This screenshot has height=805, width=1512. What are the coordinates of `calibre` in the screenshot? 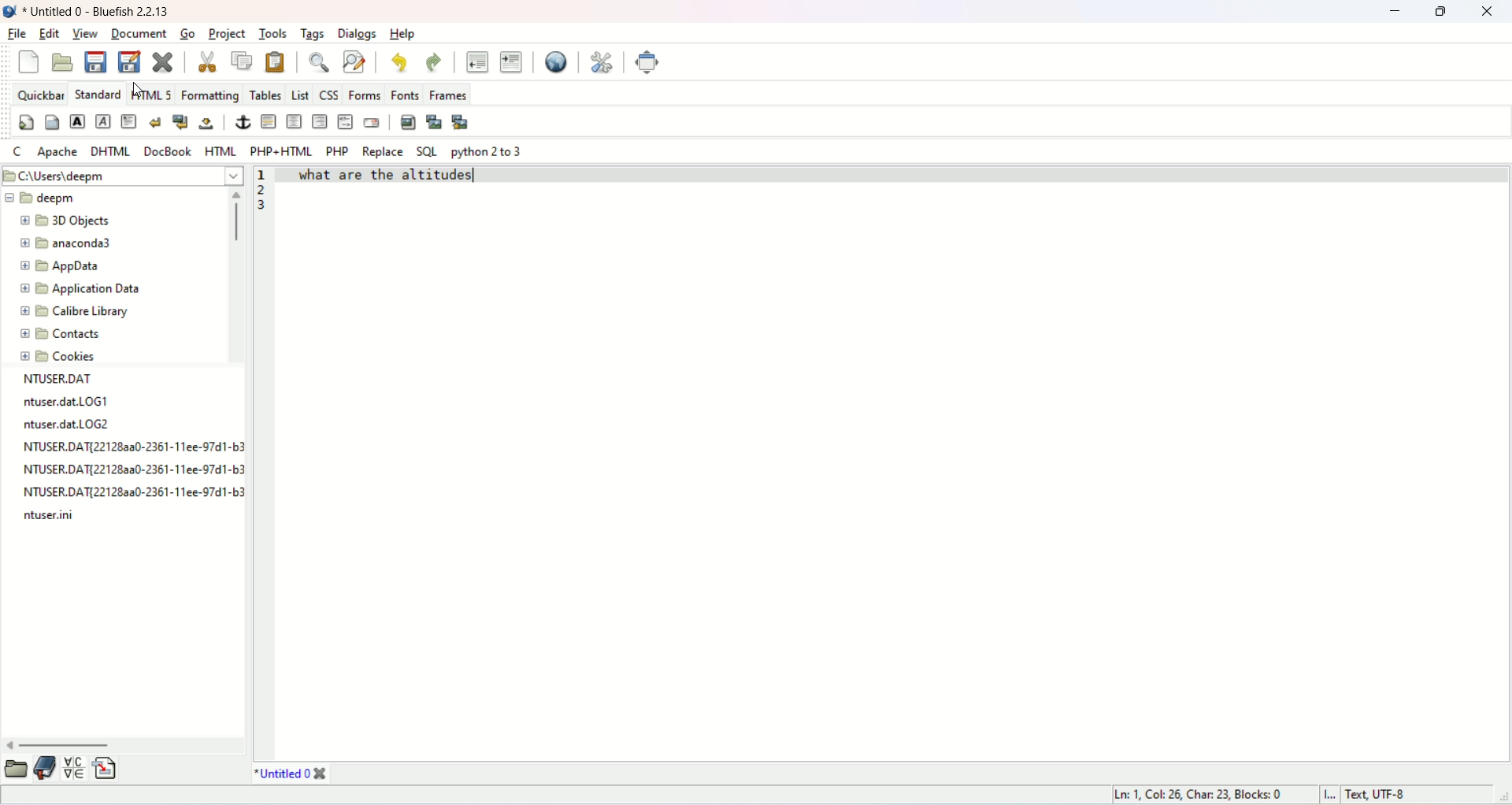 It's located at (74, 313).